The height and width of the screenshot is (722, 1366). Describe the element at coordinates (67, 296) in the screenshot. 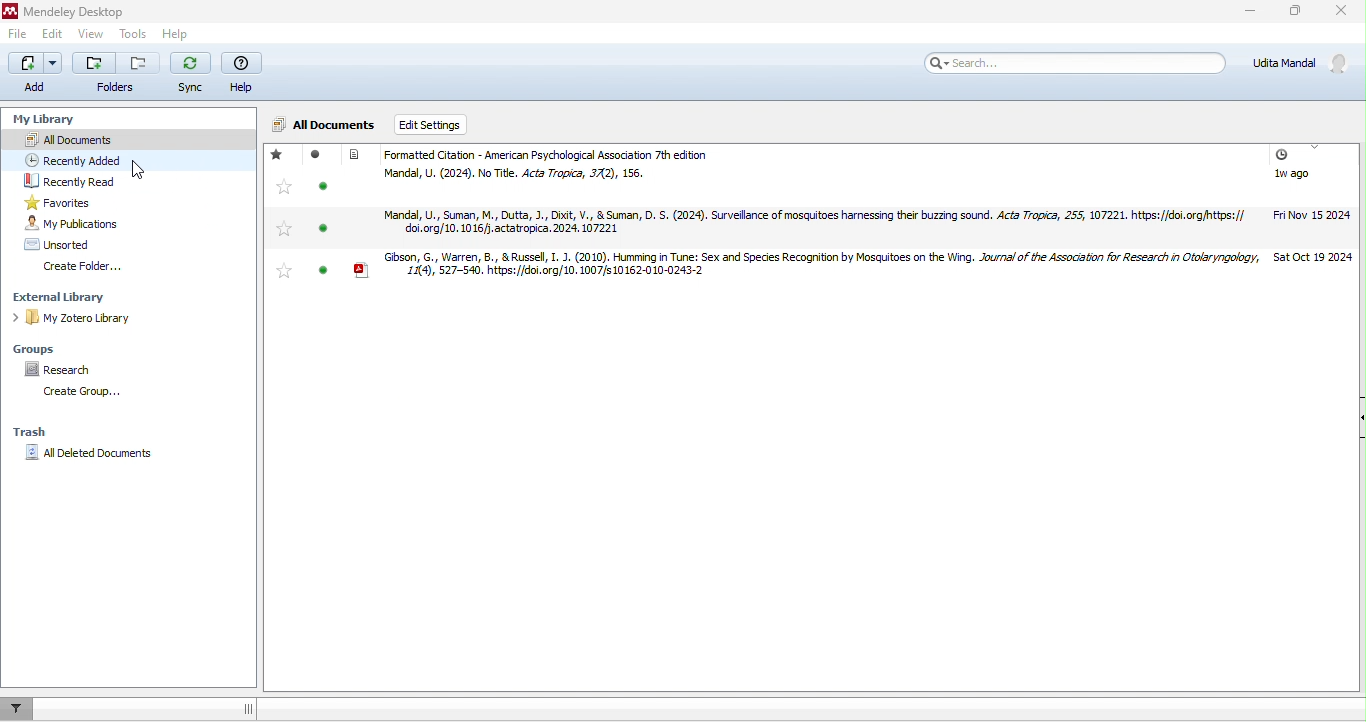

I see `external library` at that location.